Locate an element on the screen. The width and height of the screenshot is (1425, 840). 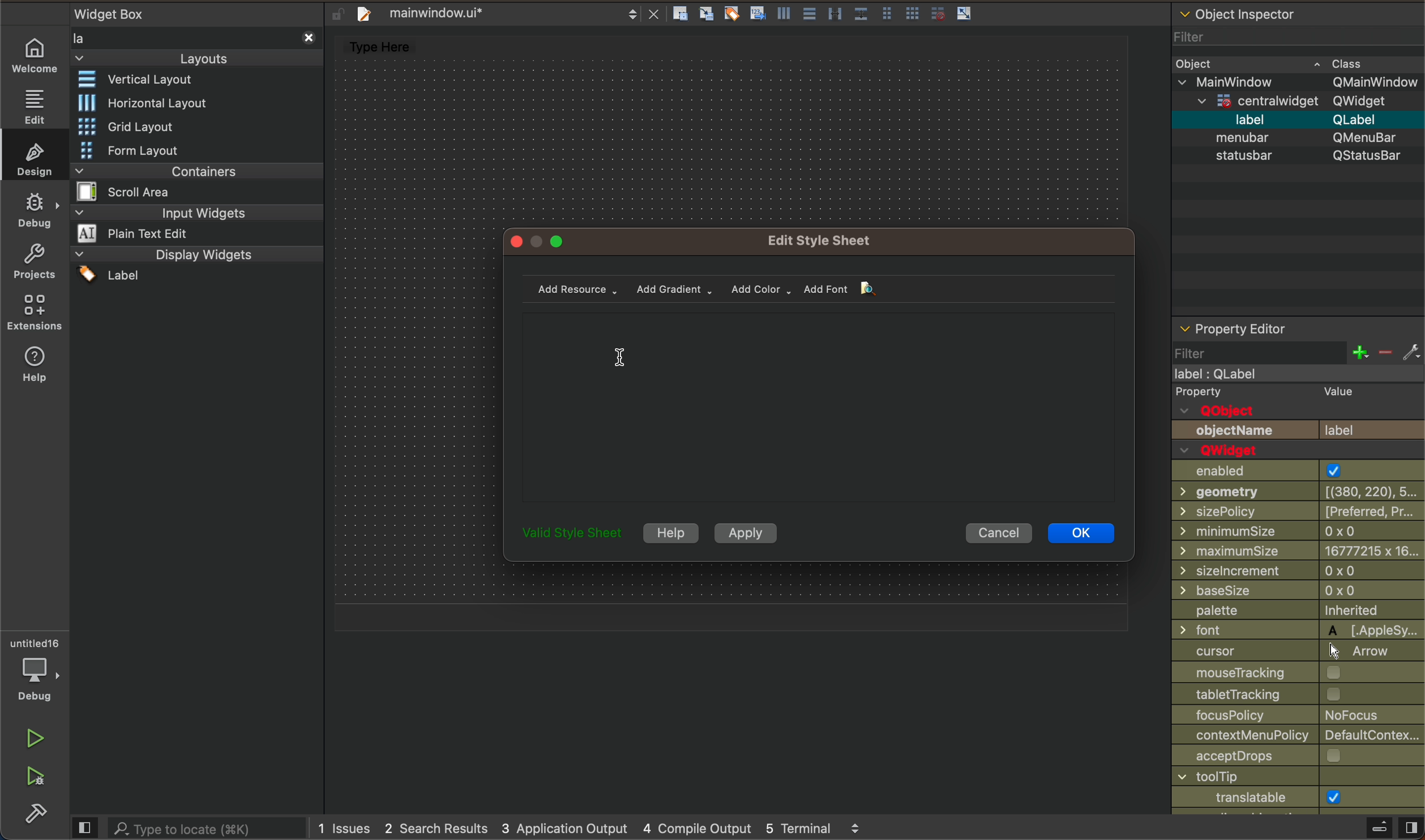
close sidebar is located at coordinates (1360, 829).